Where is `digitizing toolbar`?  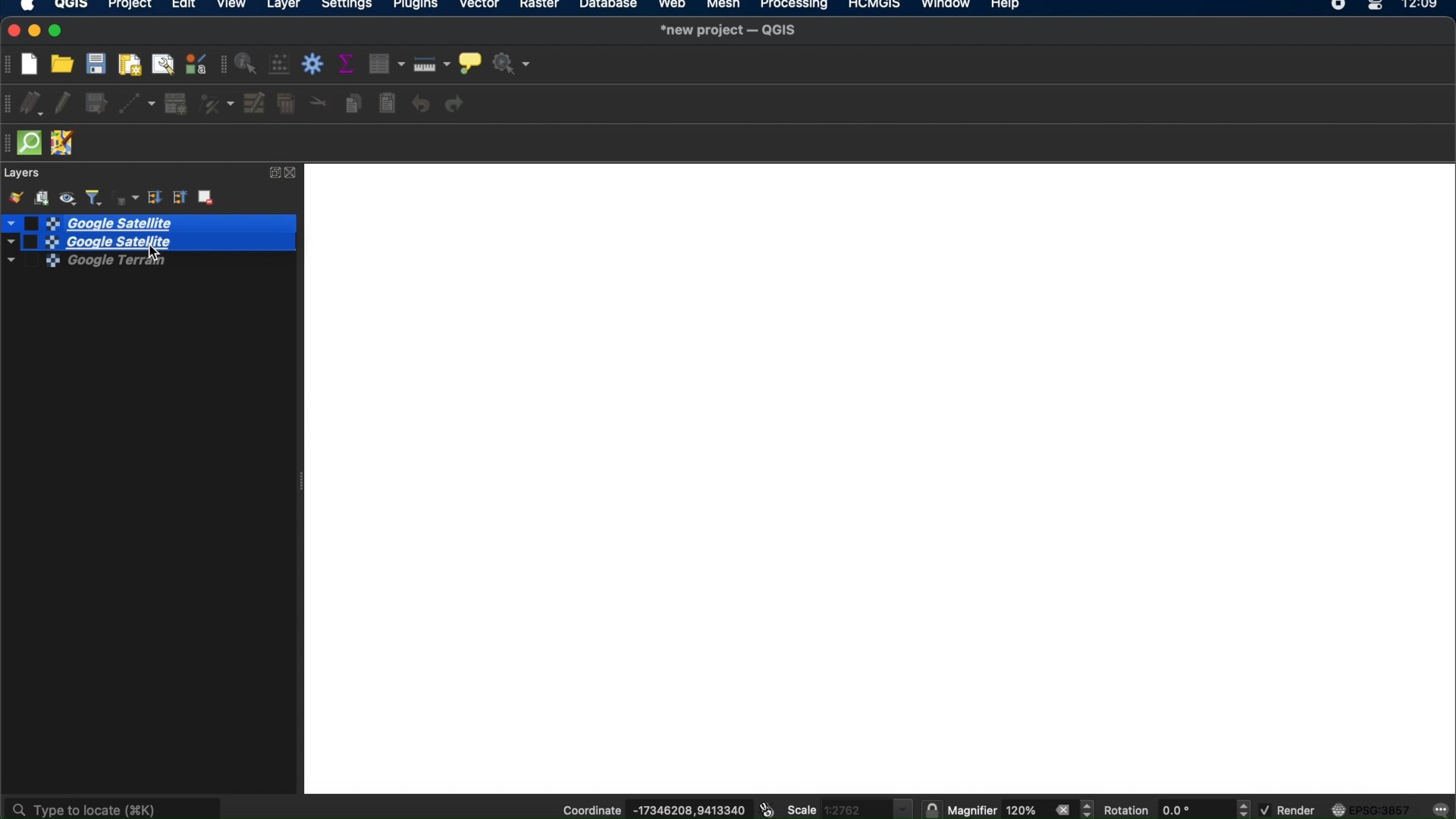
digitizing toolbar is located at coordinates (9, 105).